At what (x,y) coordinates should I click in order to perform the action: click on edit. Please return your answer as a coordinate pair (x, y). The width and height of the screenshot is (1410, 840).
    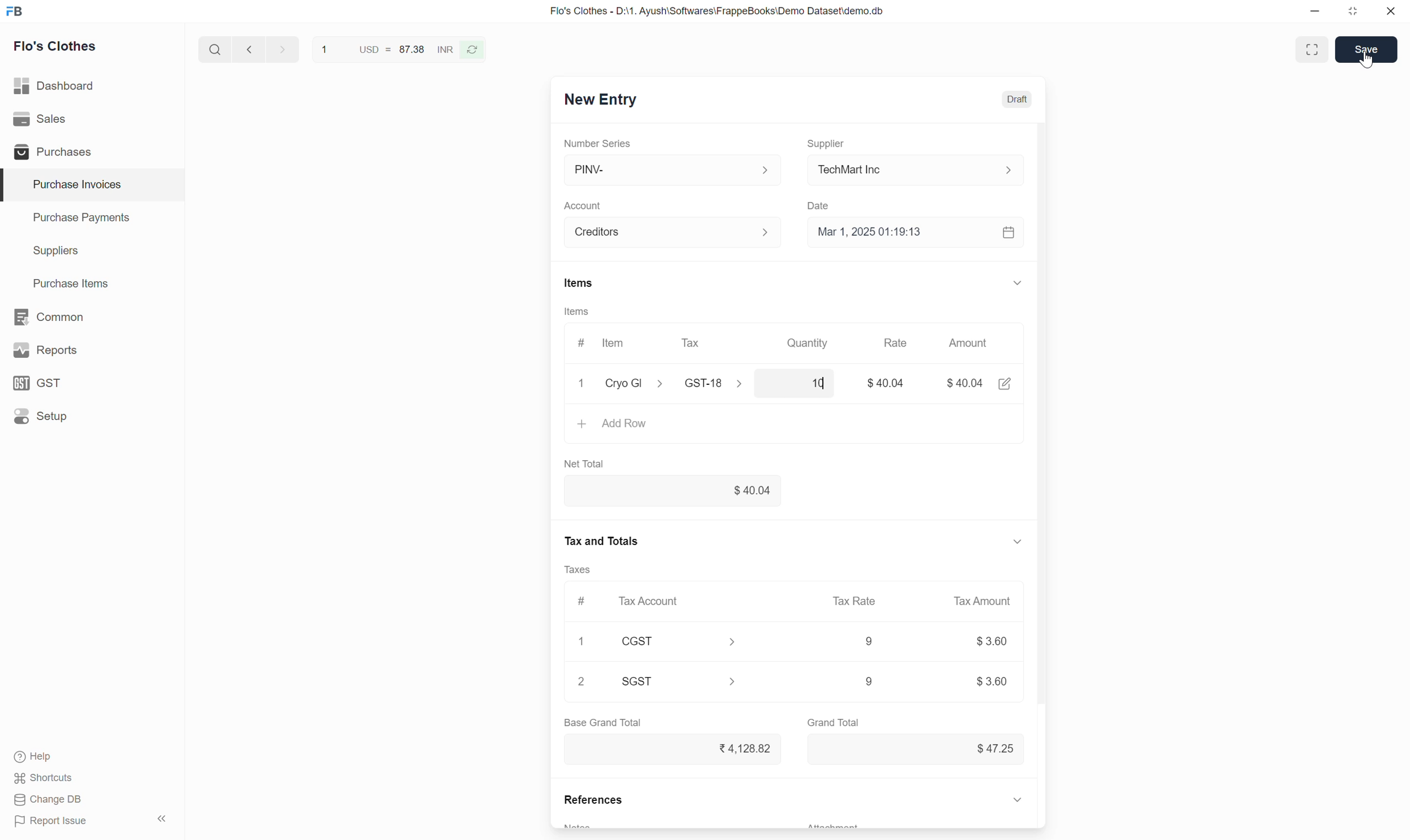
    Looking at the image, I should click on (1006, 385).